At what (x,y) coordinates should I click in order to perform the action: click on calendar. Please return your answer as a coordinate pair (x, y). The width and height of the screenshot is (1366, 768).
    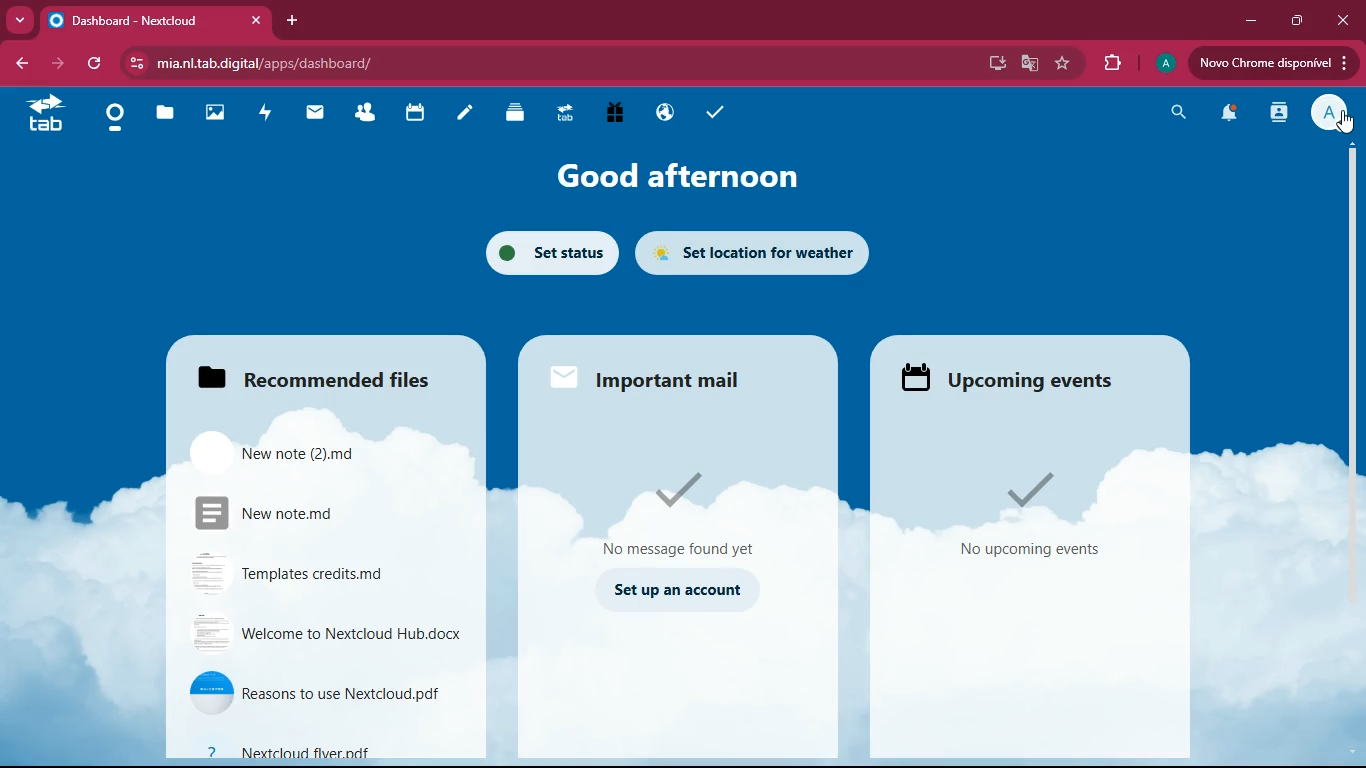
    Looking at the image, I should click on (409, 115).